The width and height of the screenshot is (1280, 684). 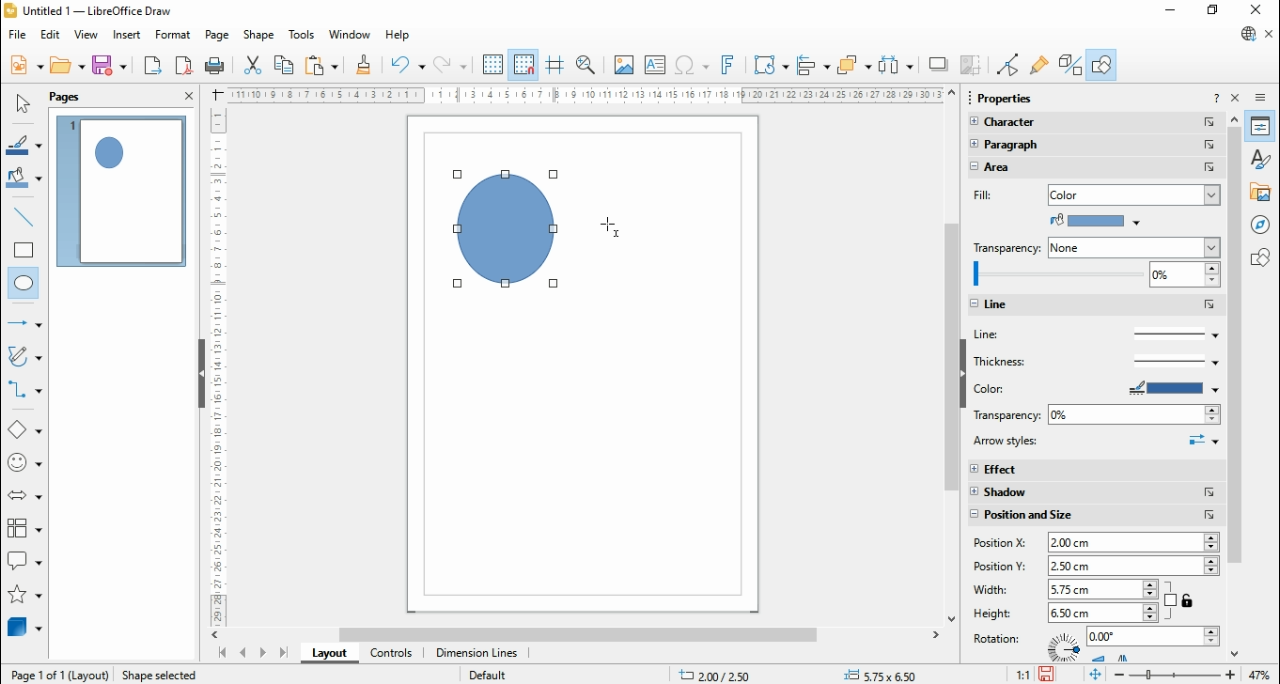 What do you see at coordinates (1262, 98) in the screenshot?
I see `sidebar deck settings` at bounding box center [1262, 98].